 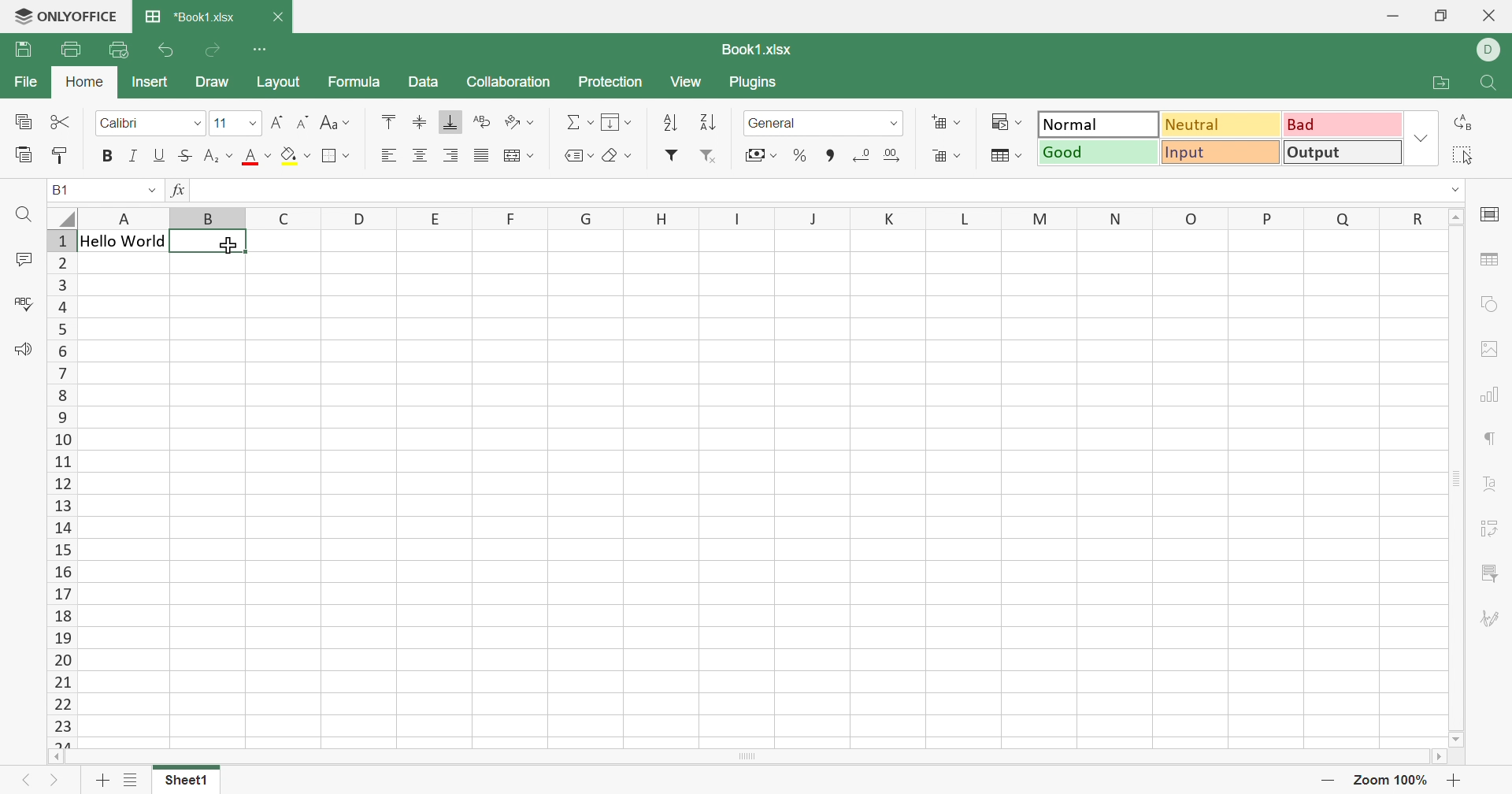 I want to click on Zoom out, so click(x=1327, y=777).